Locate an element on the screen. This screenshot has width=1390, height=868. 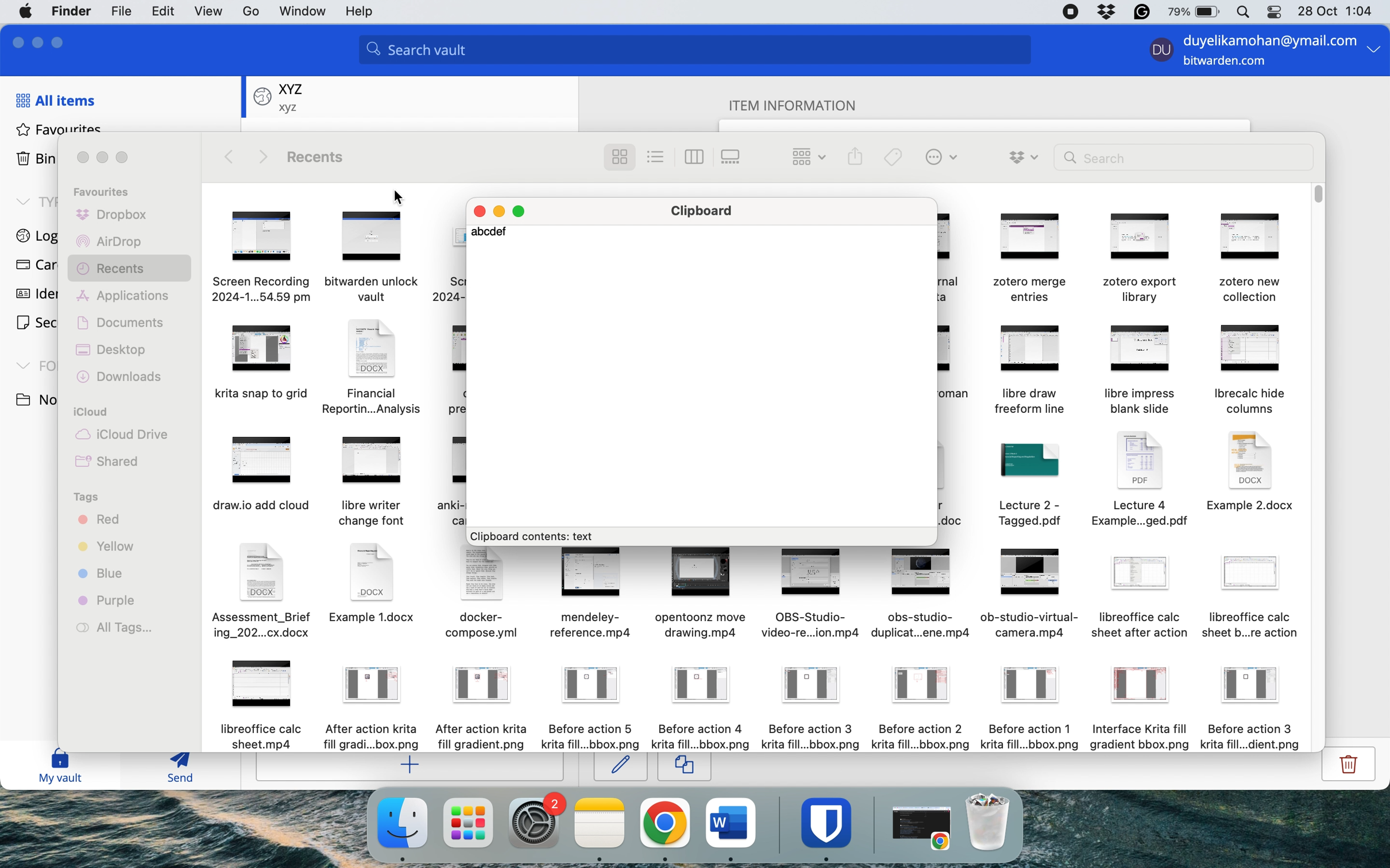
all items is located at coordinates (55, 100).